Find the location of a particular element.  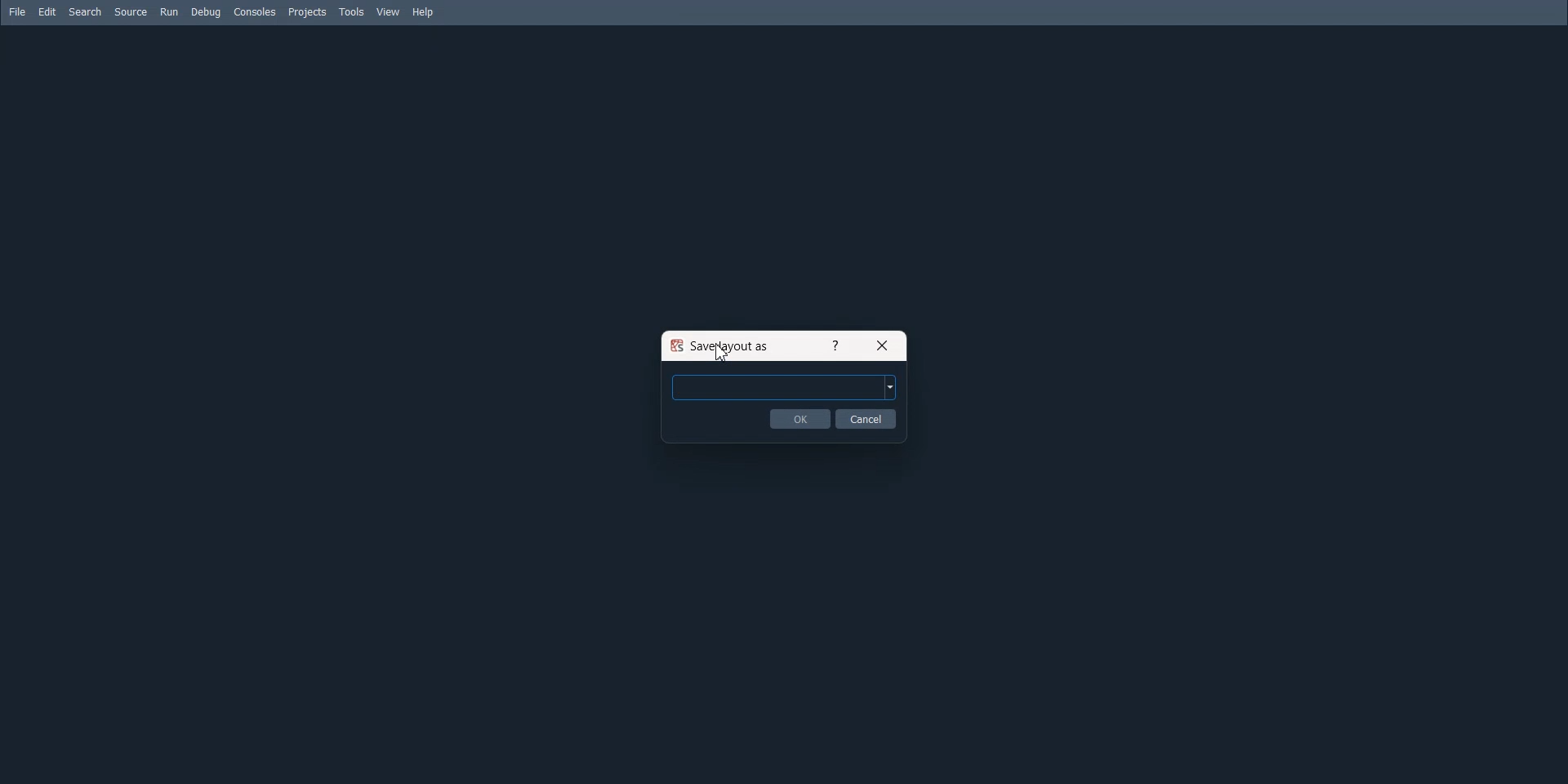

Run is located at coordinates (169, 11).